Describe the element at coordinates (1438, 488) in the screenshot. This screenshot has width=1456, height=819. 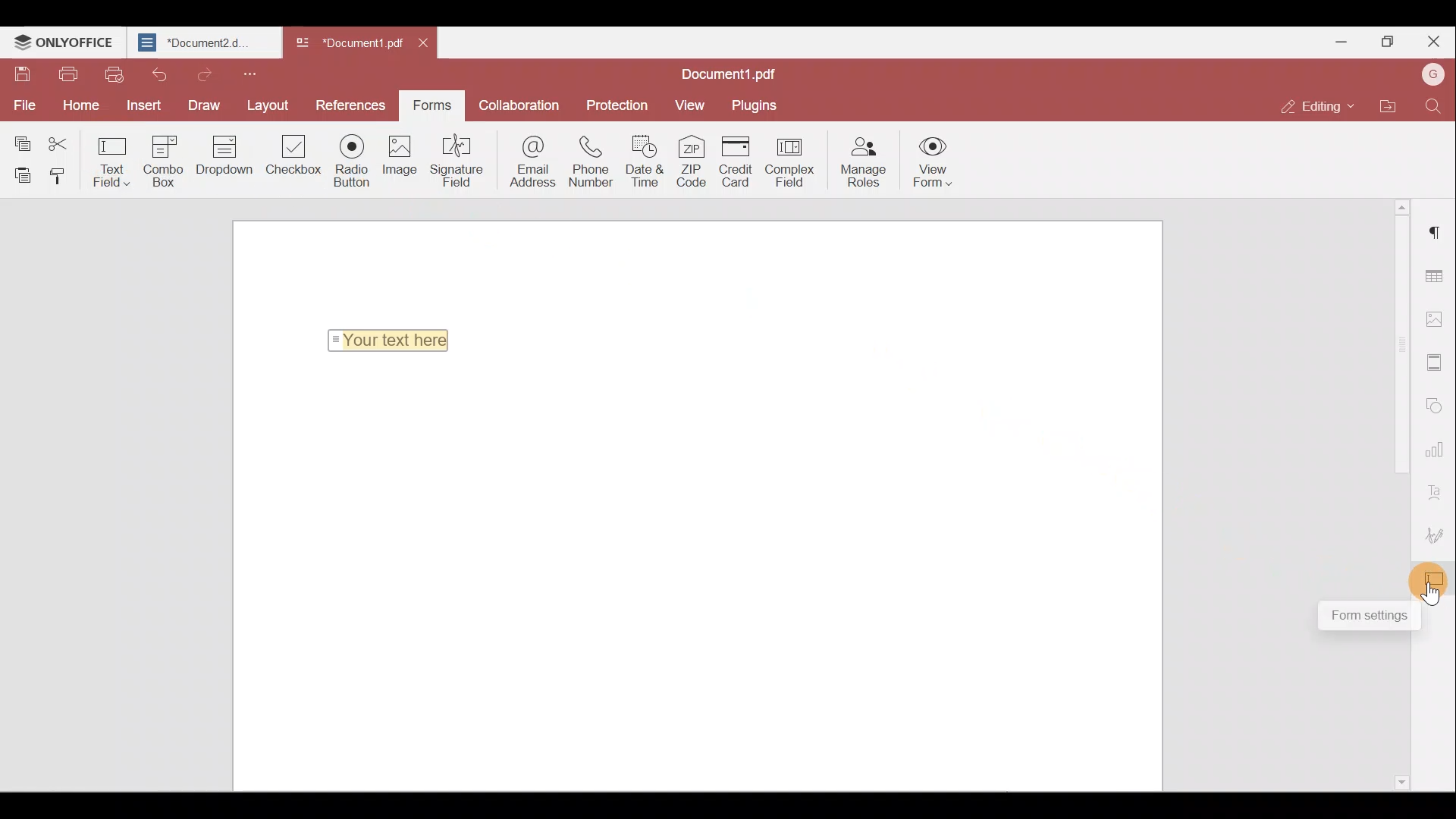
I see `Text Art settings` at that location.